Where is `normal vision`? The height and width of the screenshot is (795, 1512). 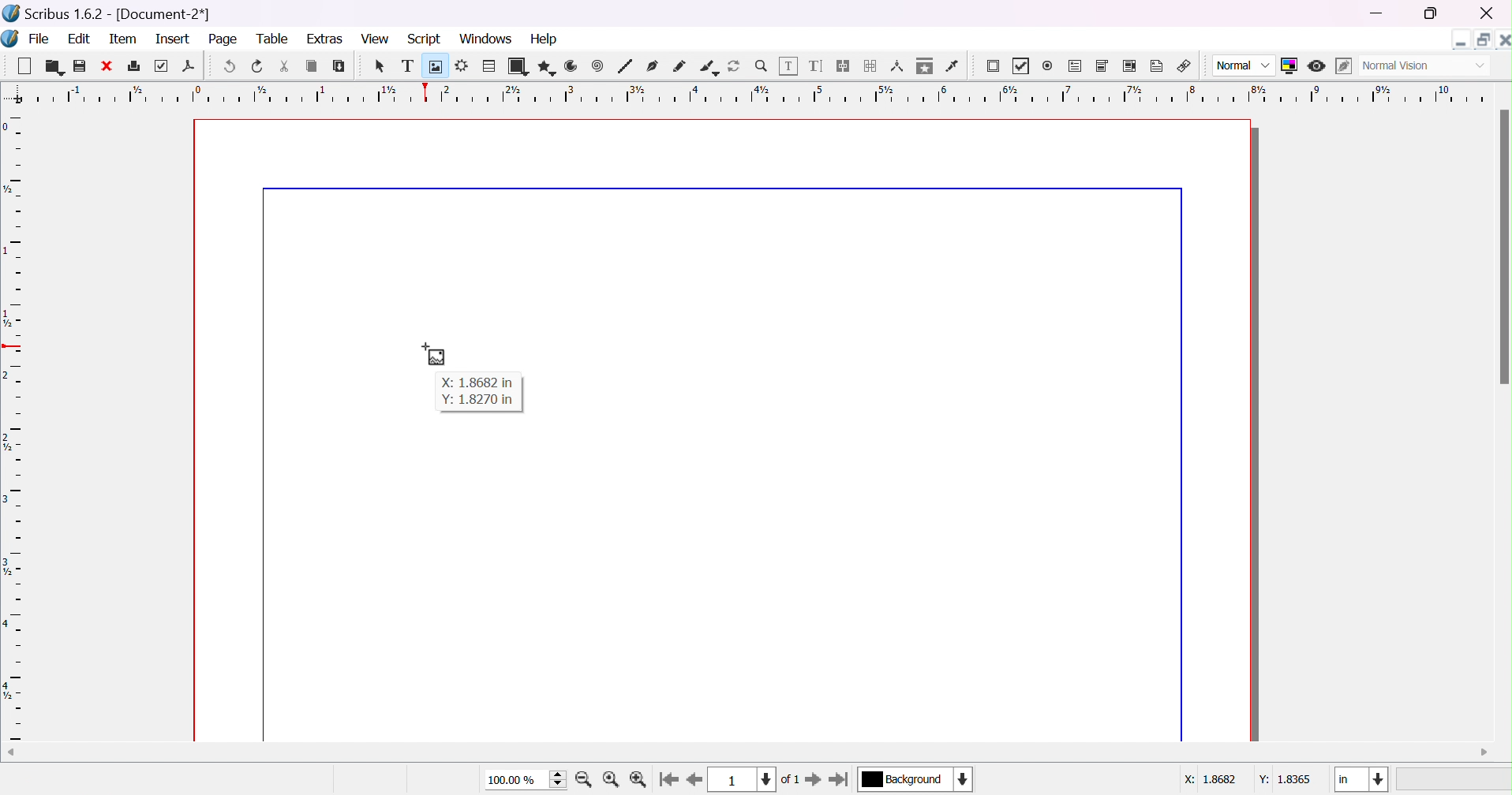 normal vision is located at coordinates (1424, 66).